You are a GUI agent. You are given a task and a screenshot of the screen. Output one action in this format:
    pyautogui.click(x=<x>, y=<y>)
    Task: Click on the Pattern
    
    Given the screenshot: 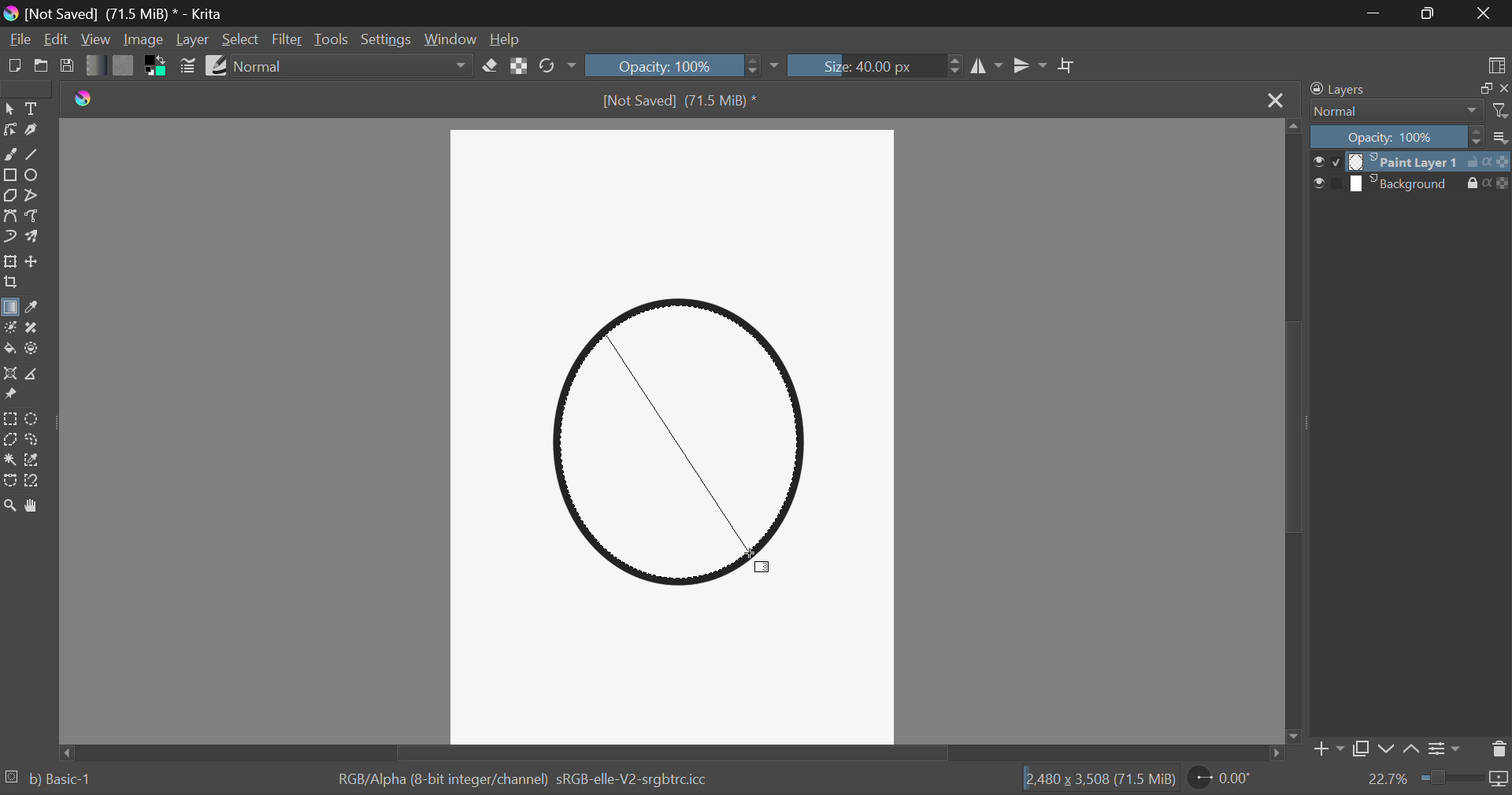 What is the action you would take?
    pyautogui.click(x=124, y=66)
    